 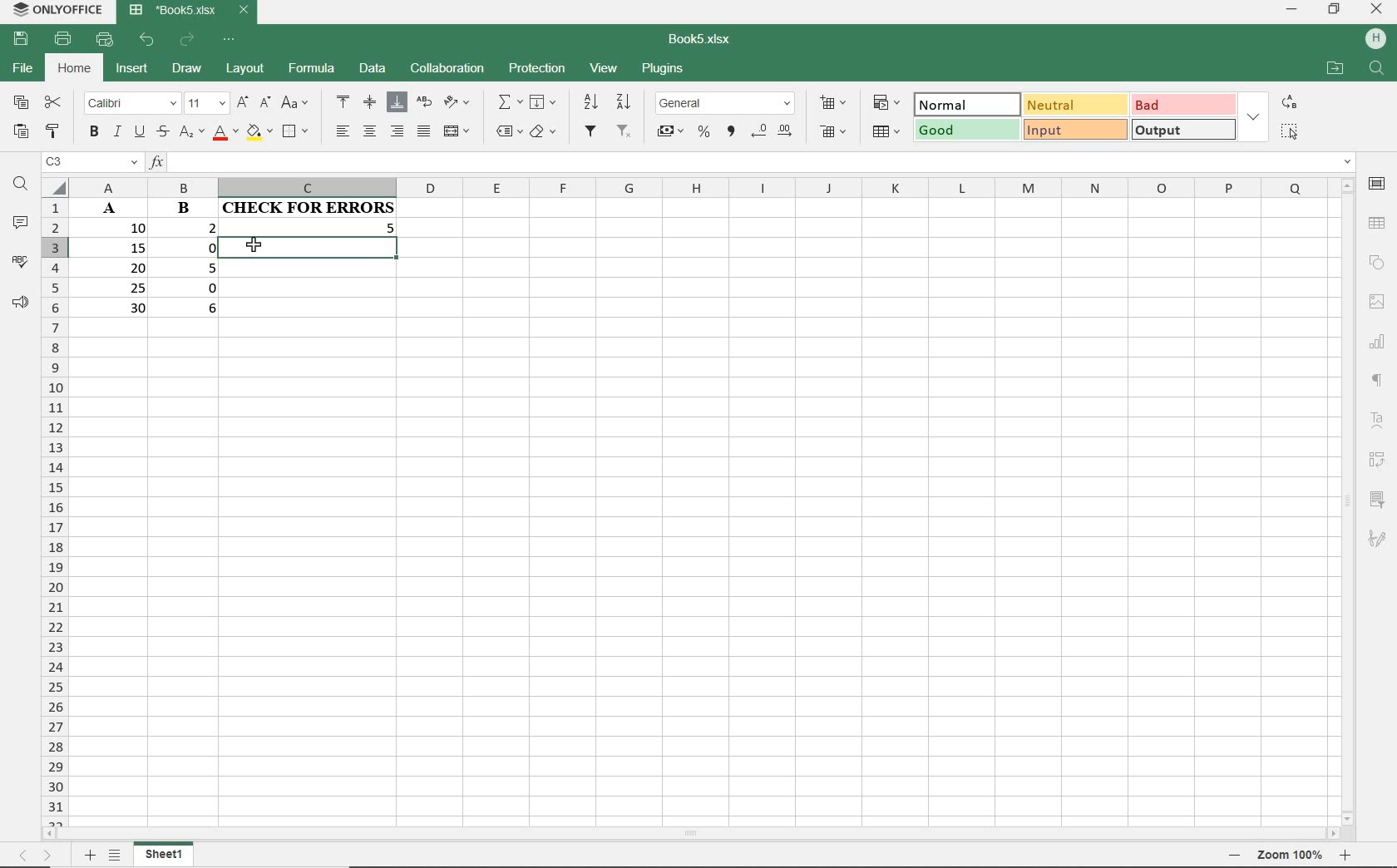 I want to click on SORT DESCENDING, so click(x=590, y=102).